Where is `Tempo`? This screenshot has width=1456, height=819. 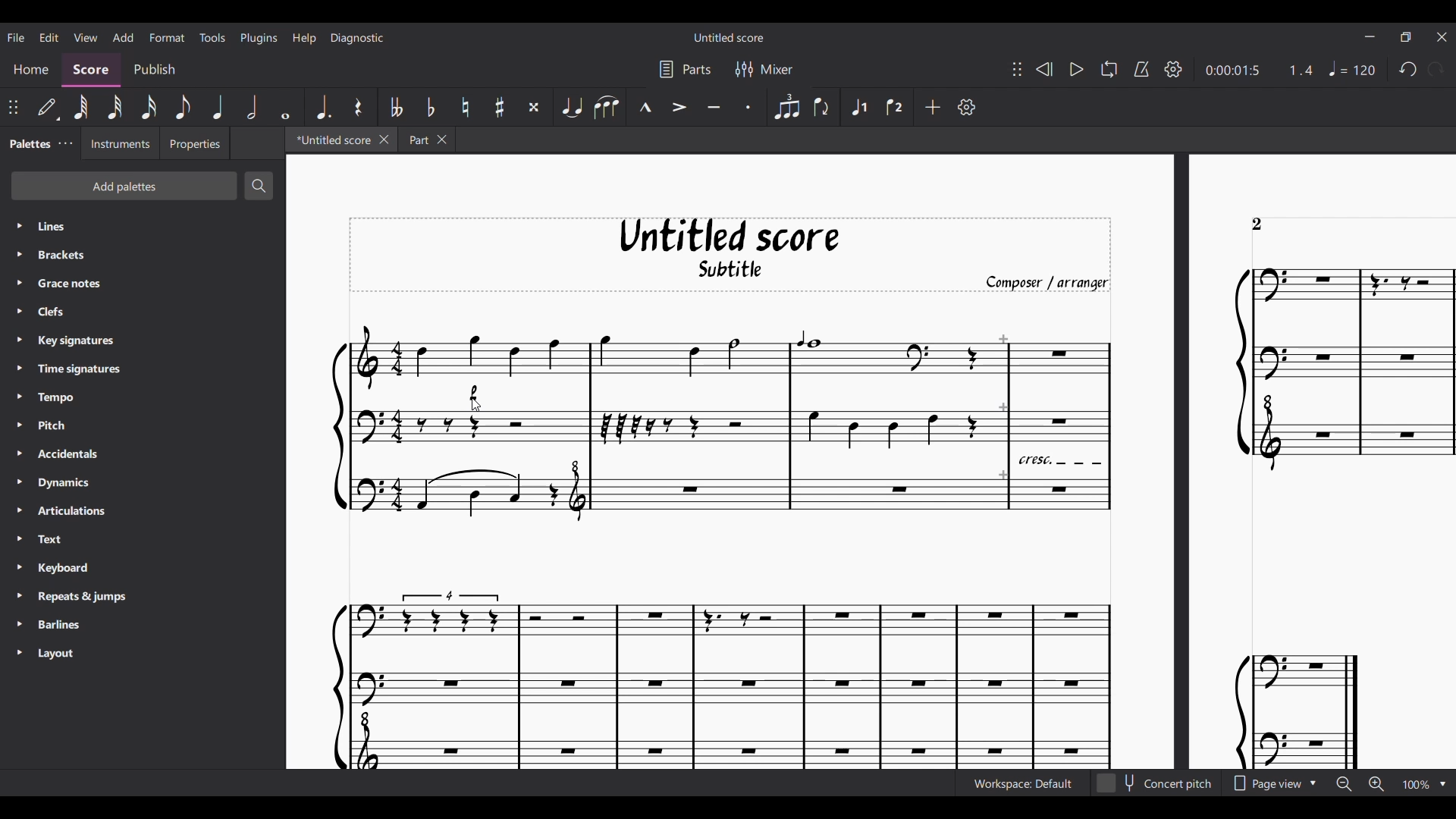 Tempo is located at coordinates (1352, 68).